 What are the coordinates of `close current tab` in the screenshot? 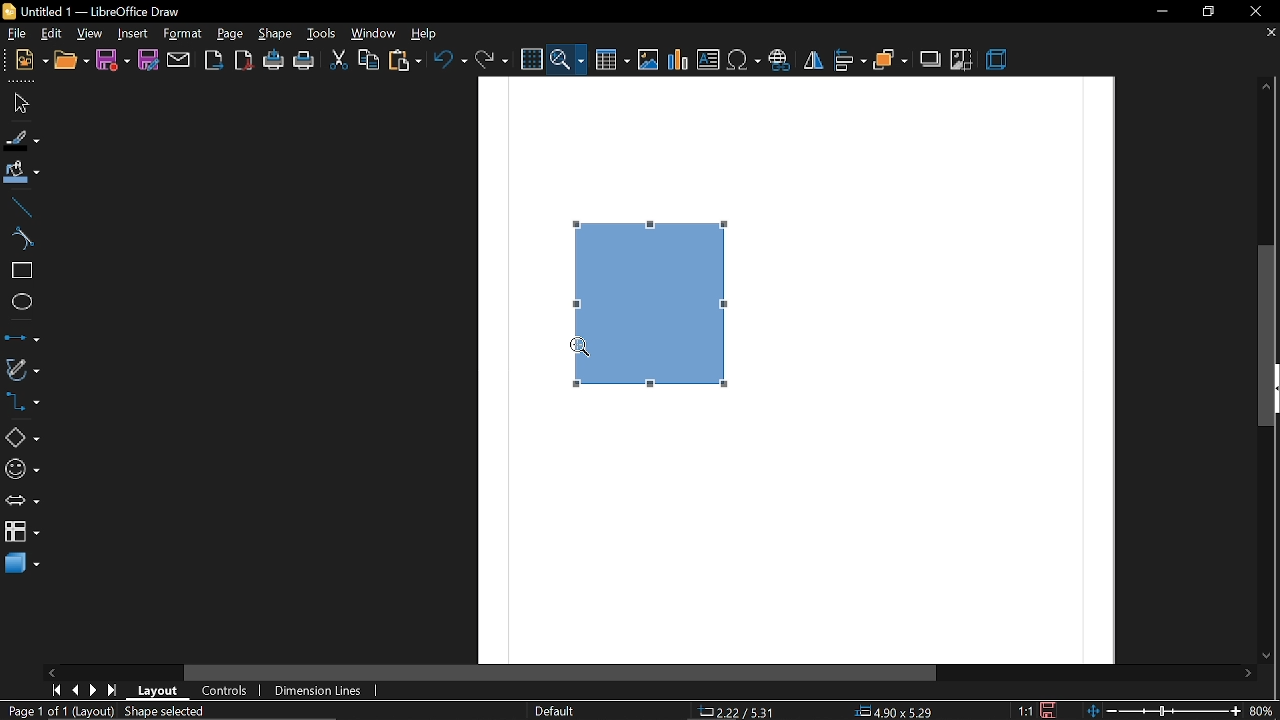 It's located at (1266, 36).